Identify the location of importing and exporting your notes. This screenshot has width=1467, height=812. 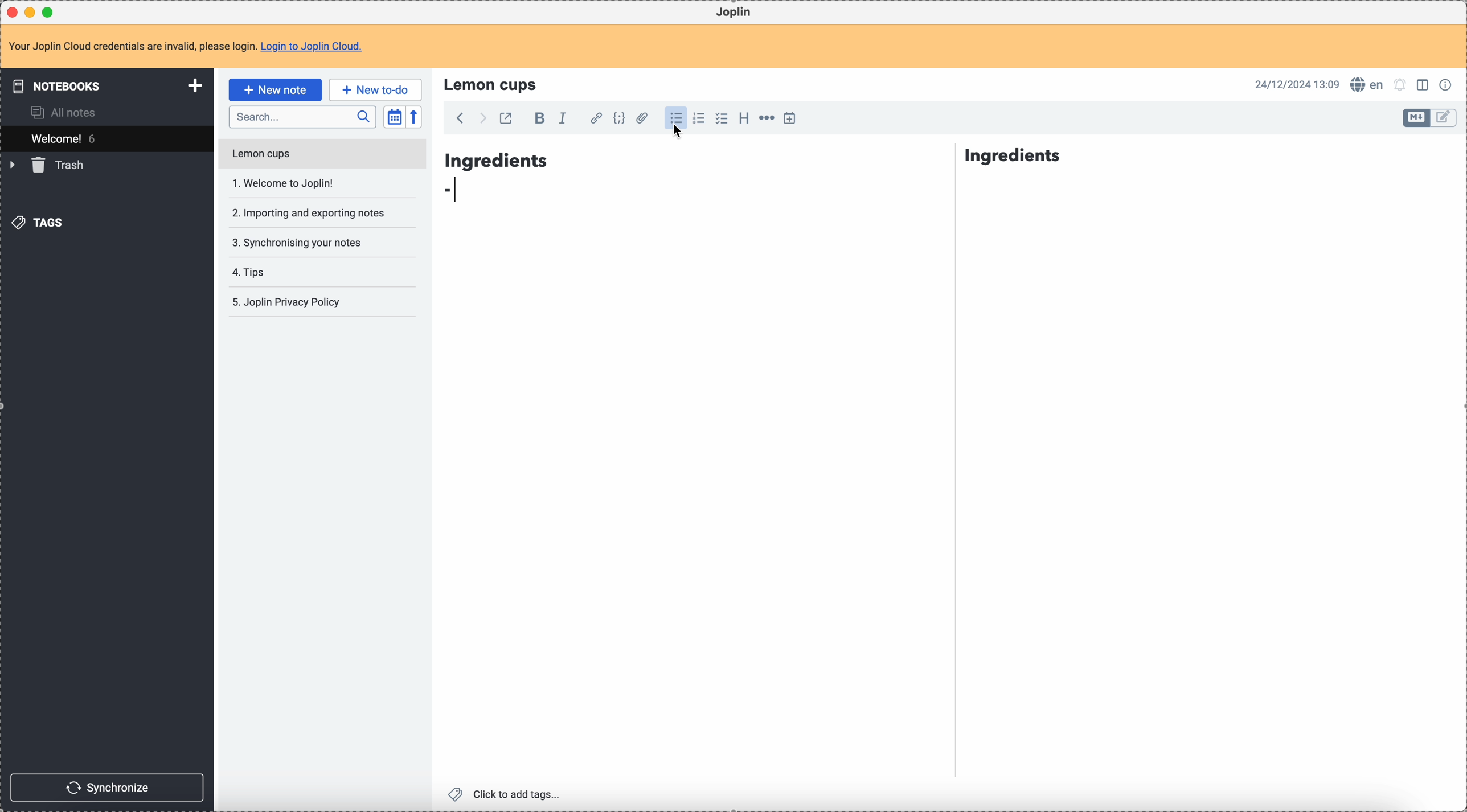
(310, 213).